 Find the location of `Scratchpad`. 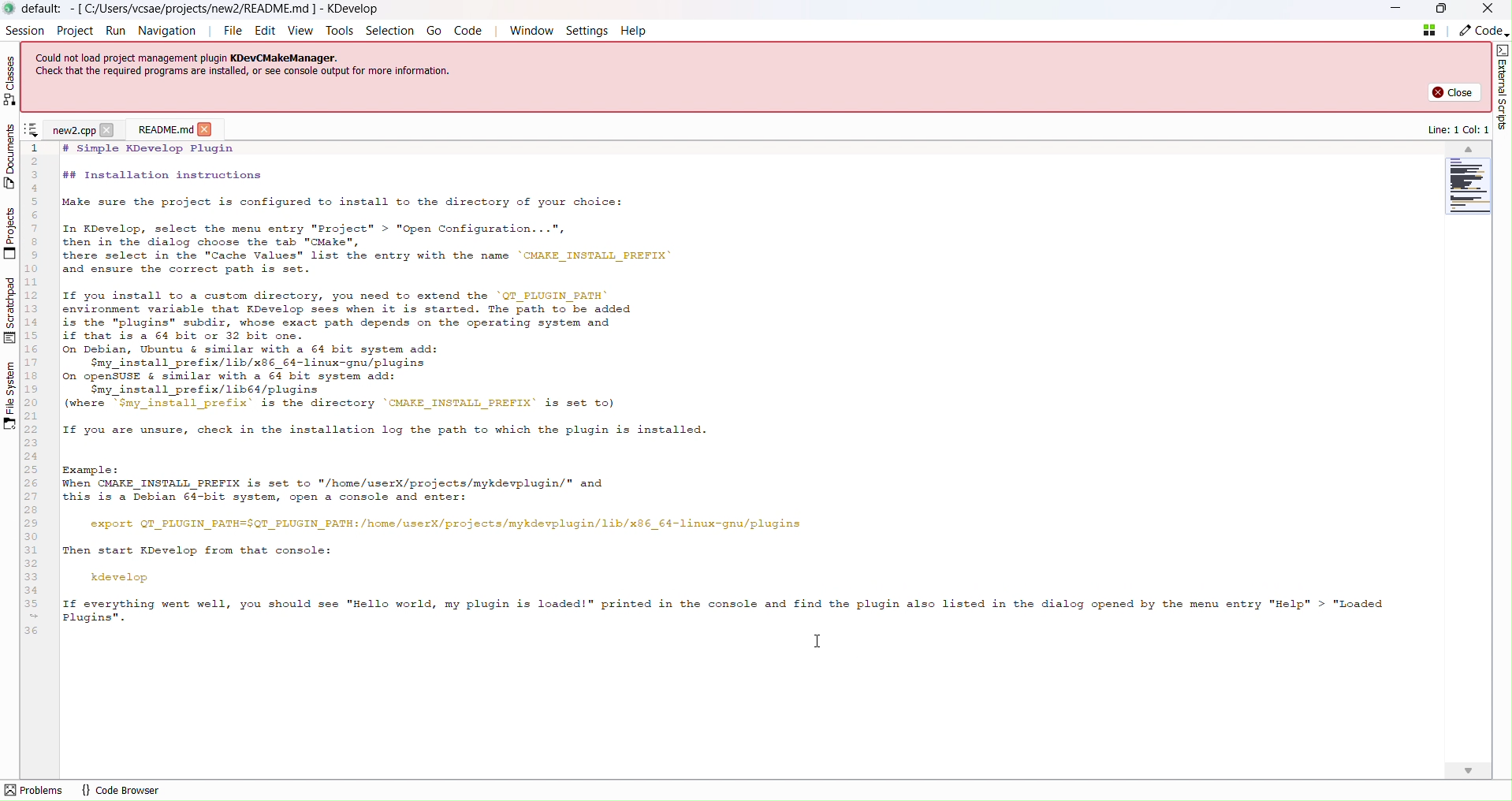

Scratchpad is located at coordinates (12, 310).